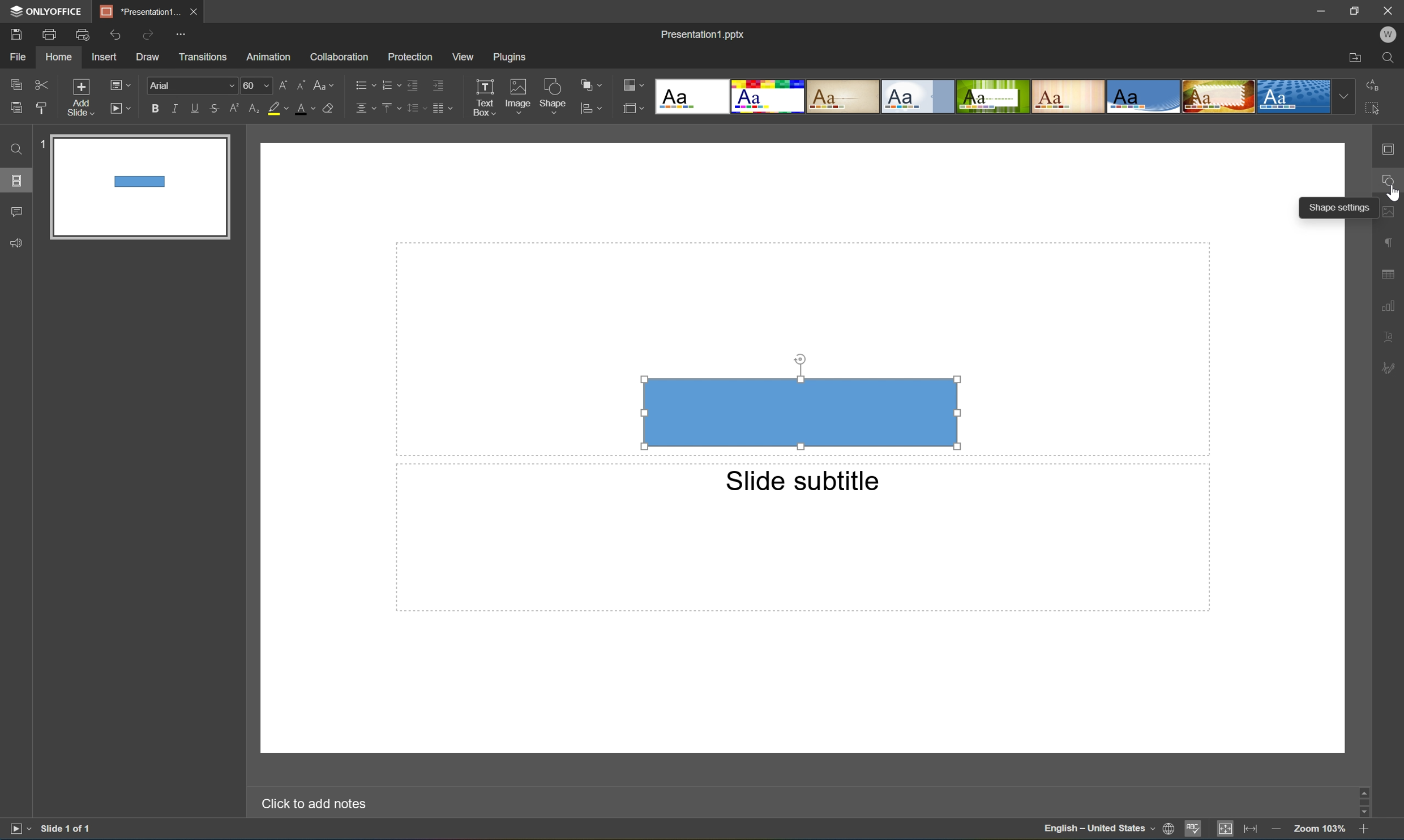  What do you see at coordinates (153, 108) in the screenshot?
I see `Bold` at bounding box center [153, 108].